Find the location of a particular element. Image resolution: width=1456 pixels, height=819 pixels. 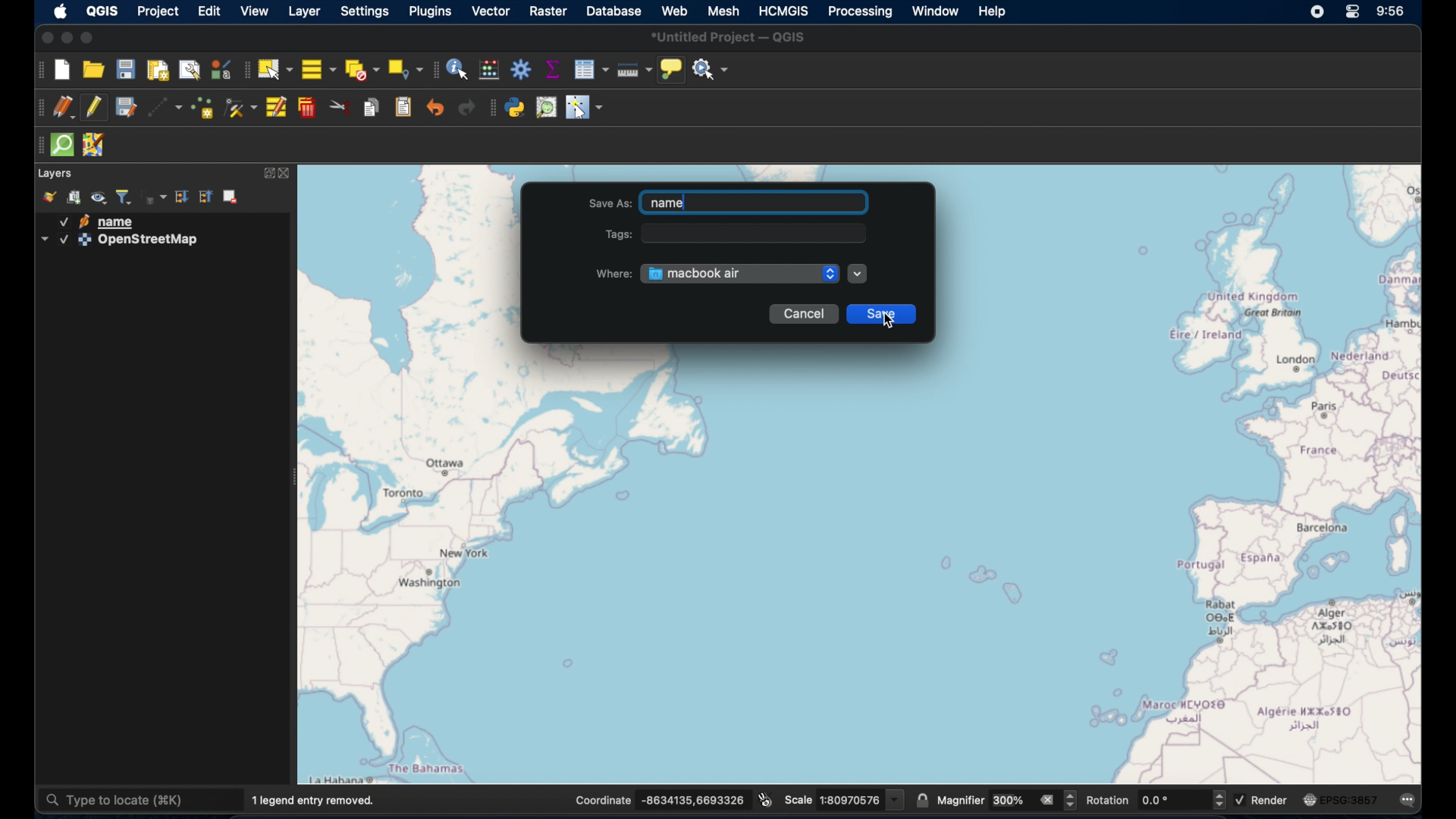

help is located at coordinates (994, 12).